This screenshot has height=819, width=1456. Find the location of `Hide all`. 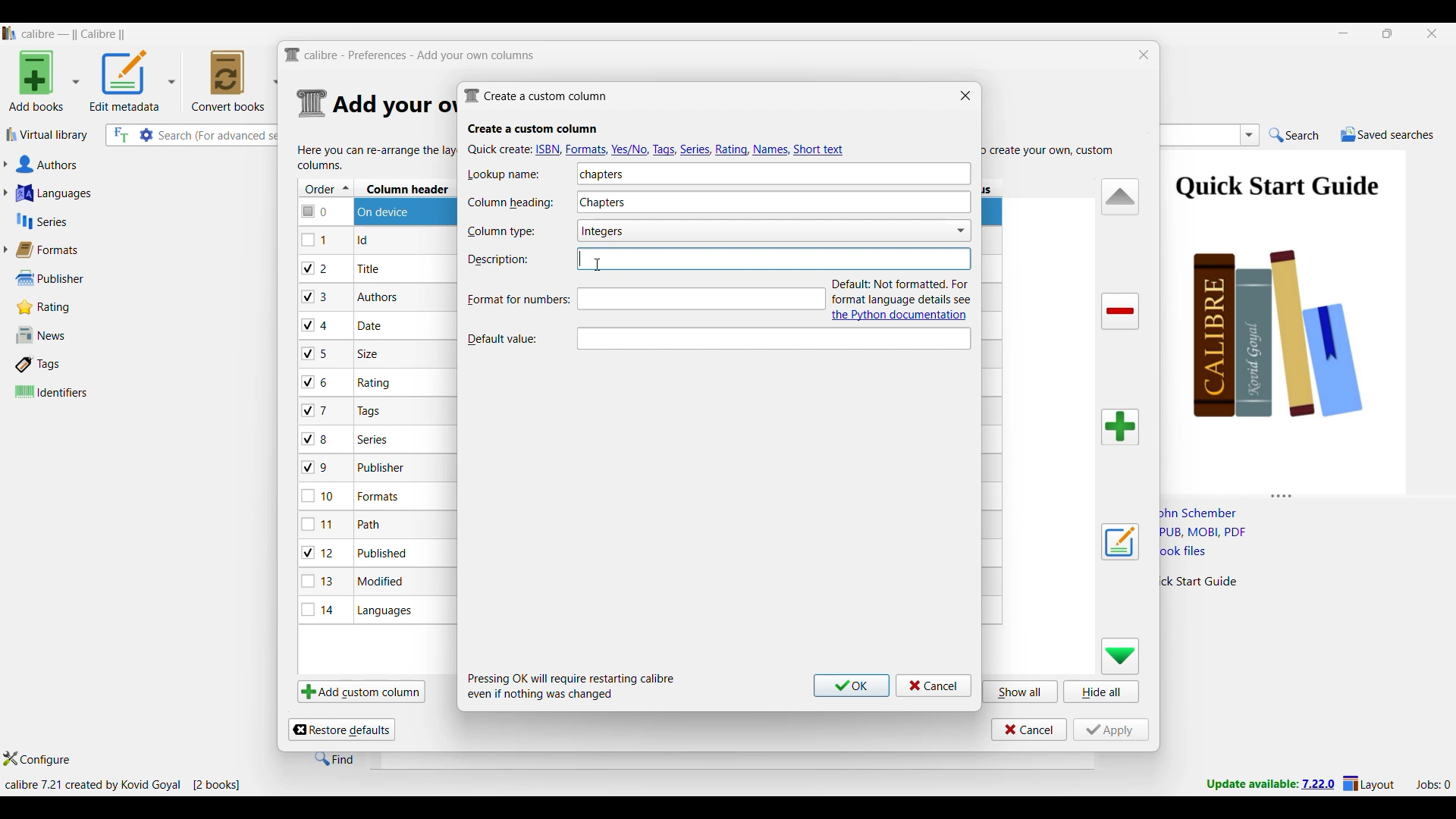

Hide all is located at coordinates (1101, 692).